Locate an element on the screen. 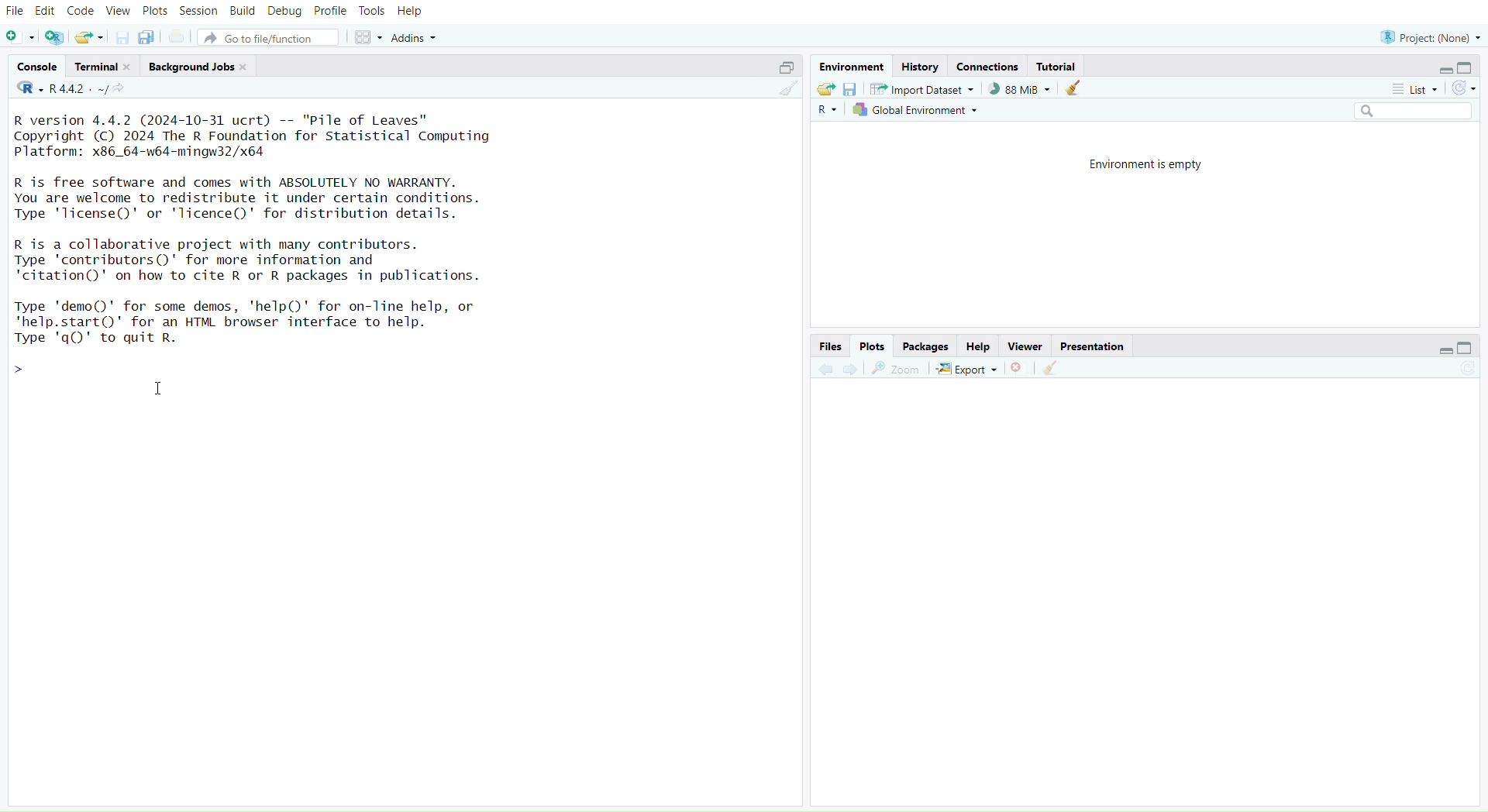 This screenshot has width=1488, height=812. collapse is located at coordinates (783, 68).